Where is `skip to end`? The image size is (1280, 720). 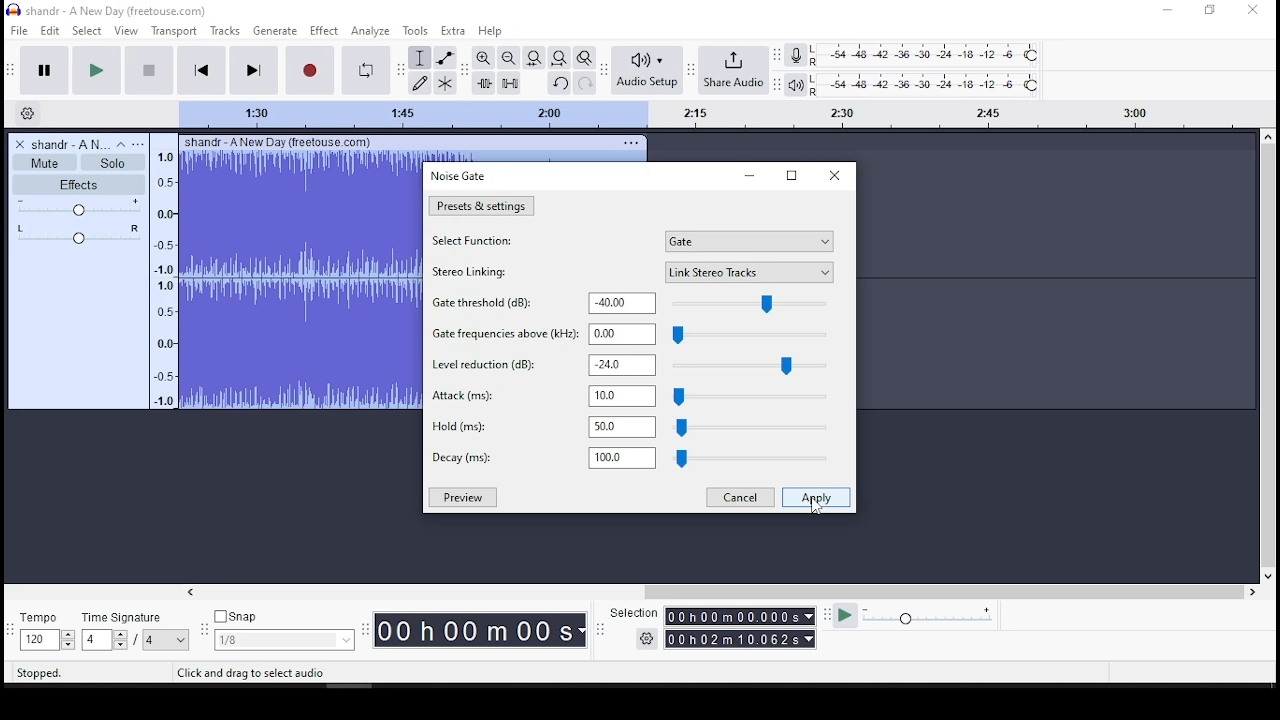
skip to end is located at coordinates (252, 70).